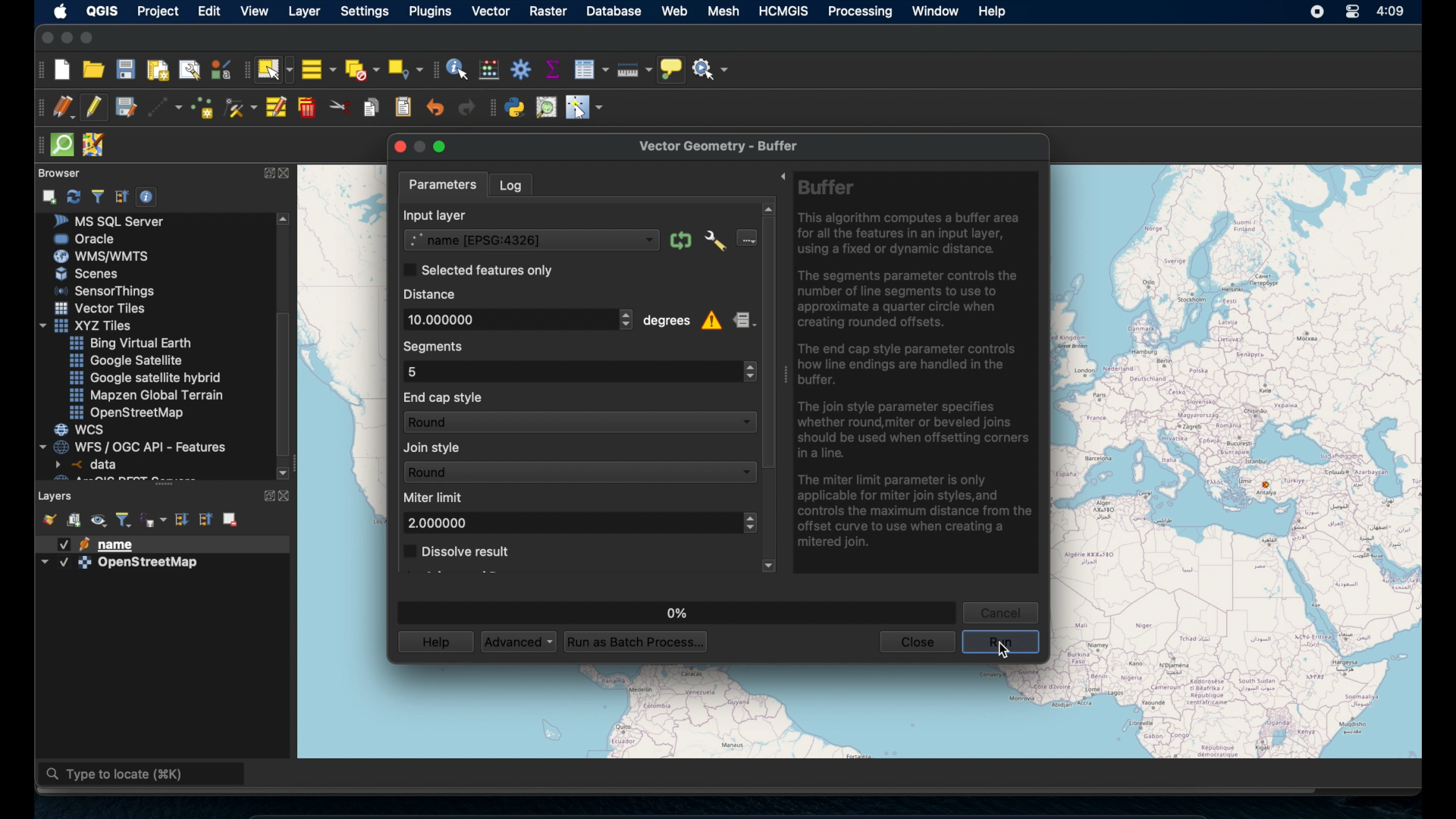 Image resolution: width=1456 pixels, height=819 pixels. I want to click on 5, so click(416, 371).